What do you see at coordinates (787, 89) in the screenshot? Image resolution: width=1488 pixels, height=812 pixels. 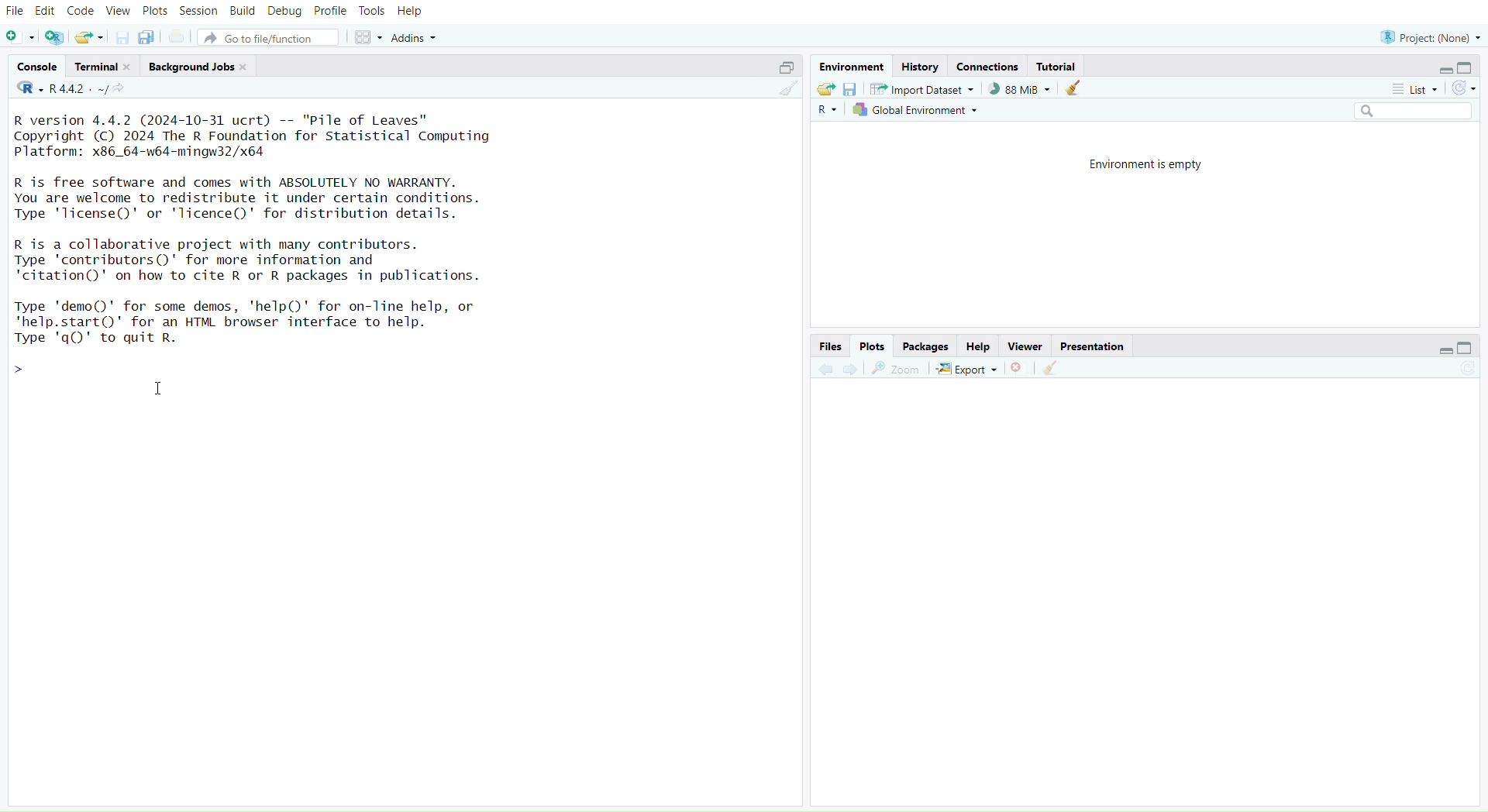 I see `clear console` at bounding box center [787, 89].